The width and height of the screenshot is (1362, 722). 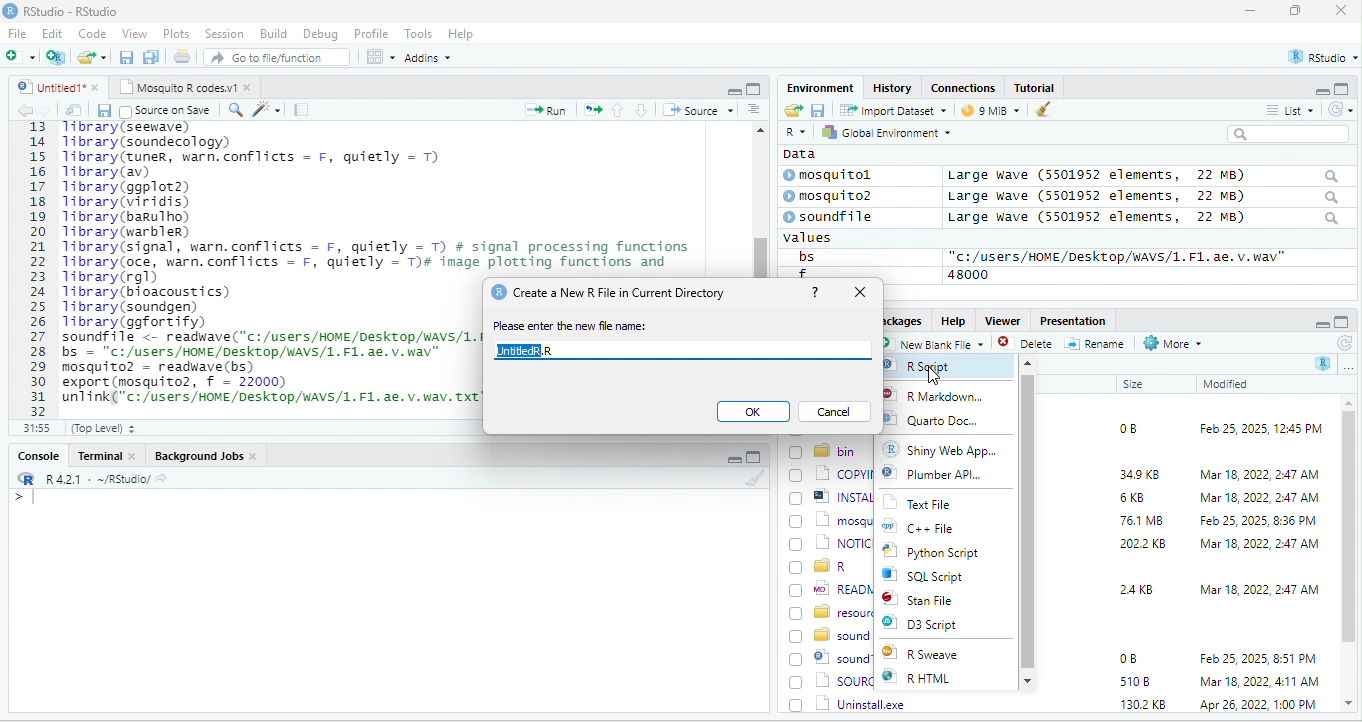 I want to click on History, so click(x=893, y=87).